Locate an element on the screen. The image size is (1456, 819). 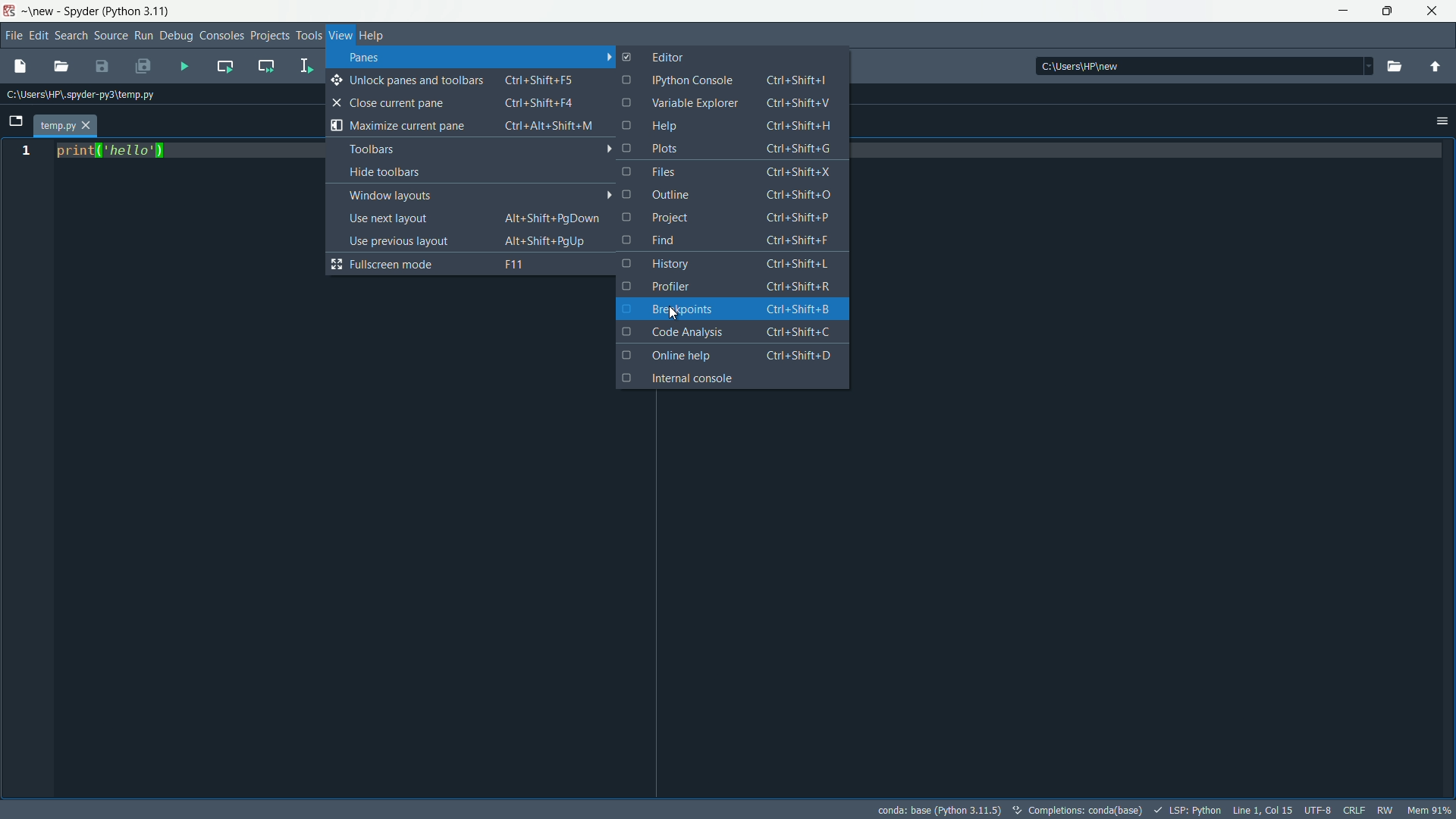
line number 1 is located at coordinates (24, 152).